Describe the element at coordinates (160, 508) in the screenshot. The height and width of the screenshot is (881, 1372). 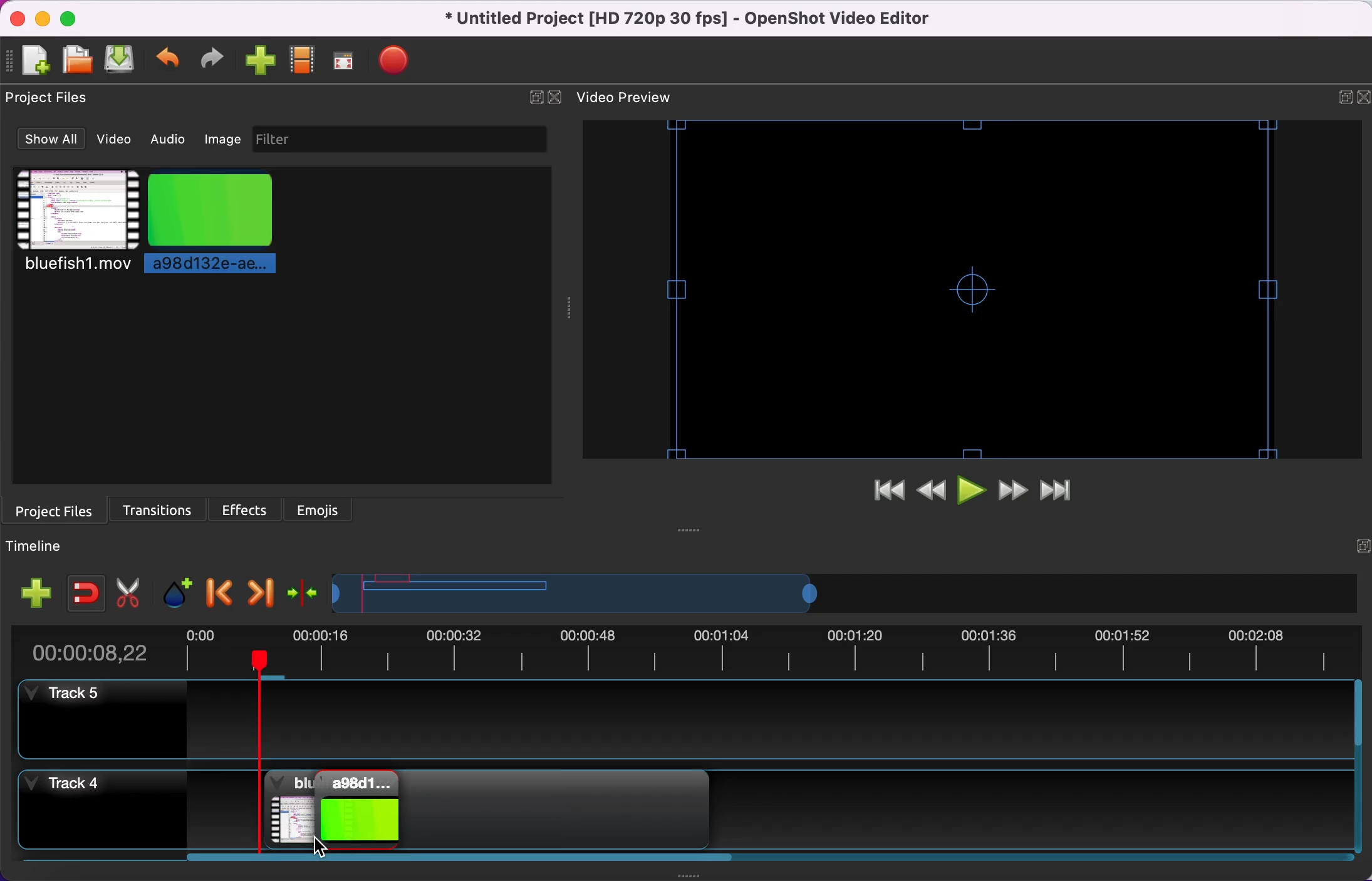
I see `transitions` at that location.